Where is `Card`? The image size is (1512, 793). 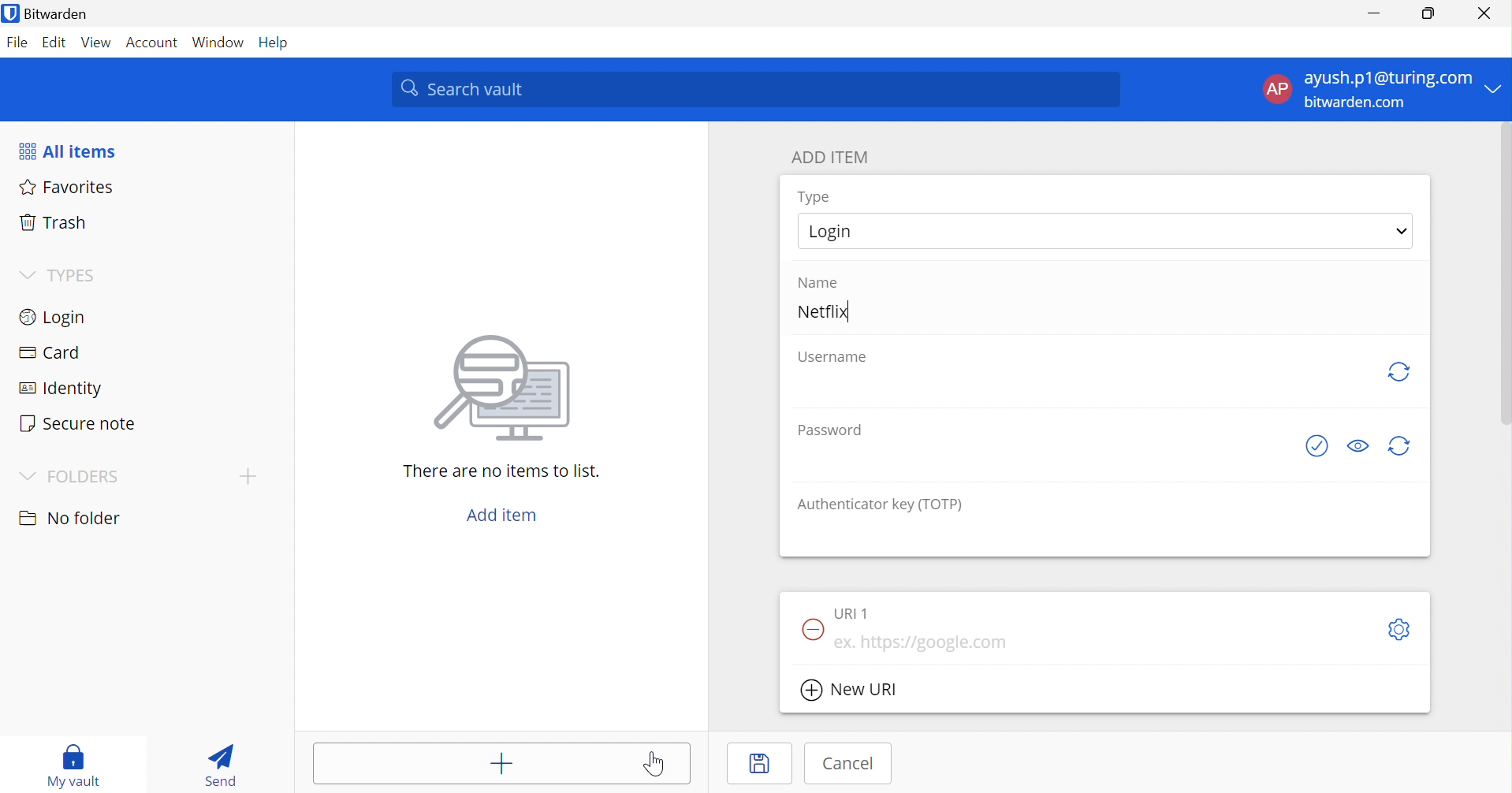
Card is located at coordinates (47, 350).